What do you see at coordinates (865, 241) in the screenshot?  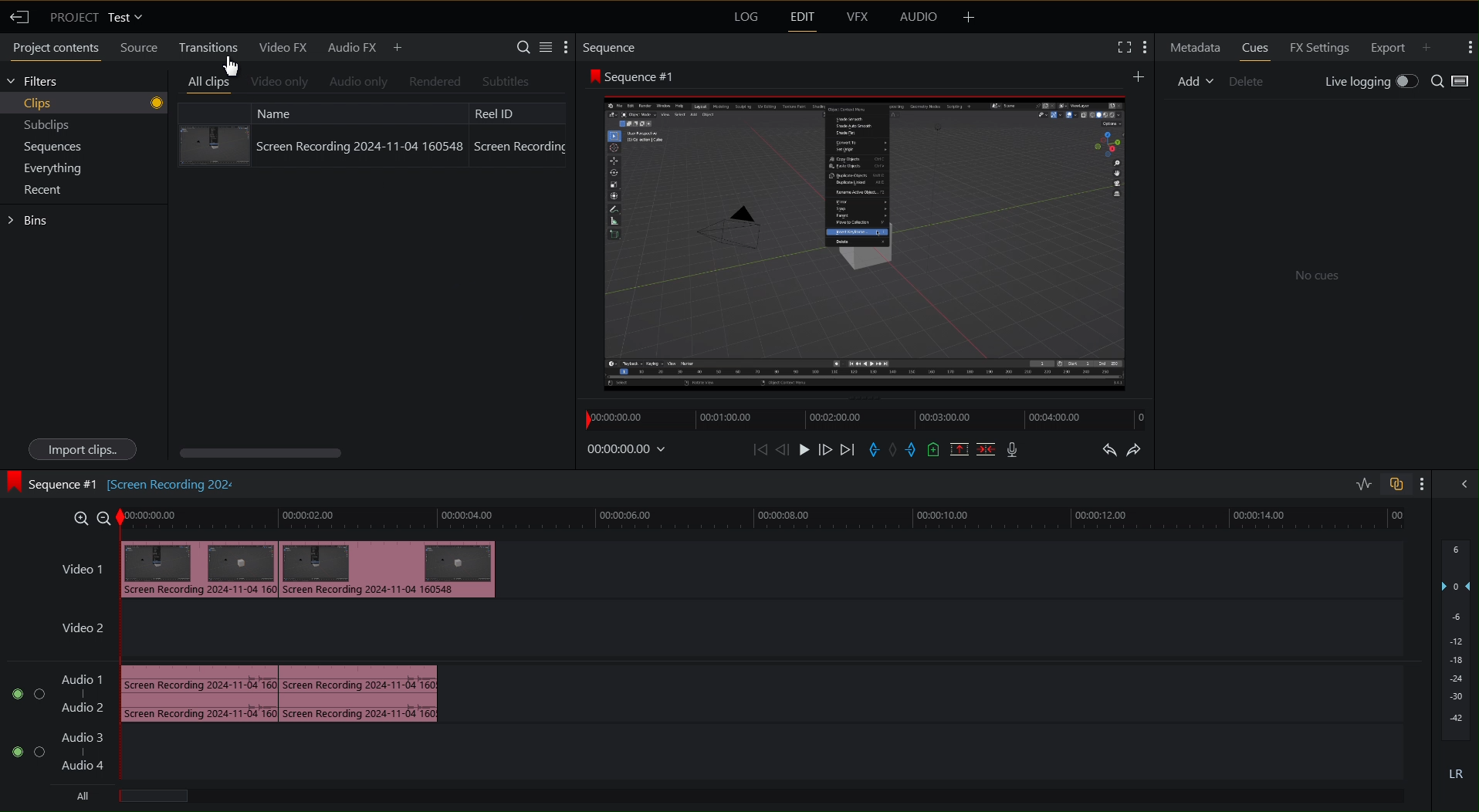 I see `Preview` at bounding box center [865, 241].